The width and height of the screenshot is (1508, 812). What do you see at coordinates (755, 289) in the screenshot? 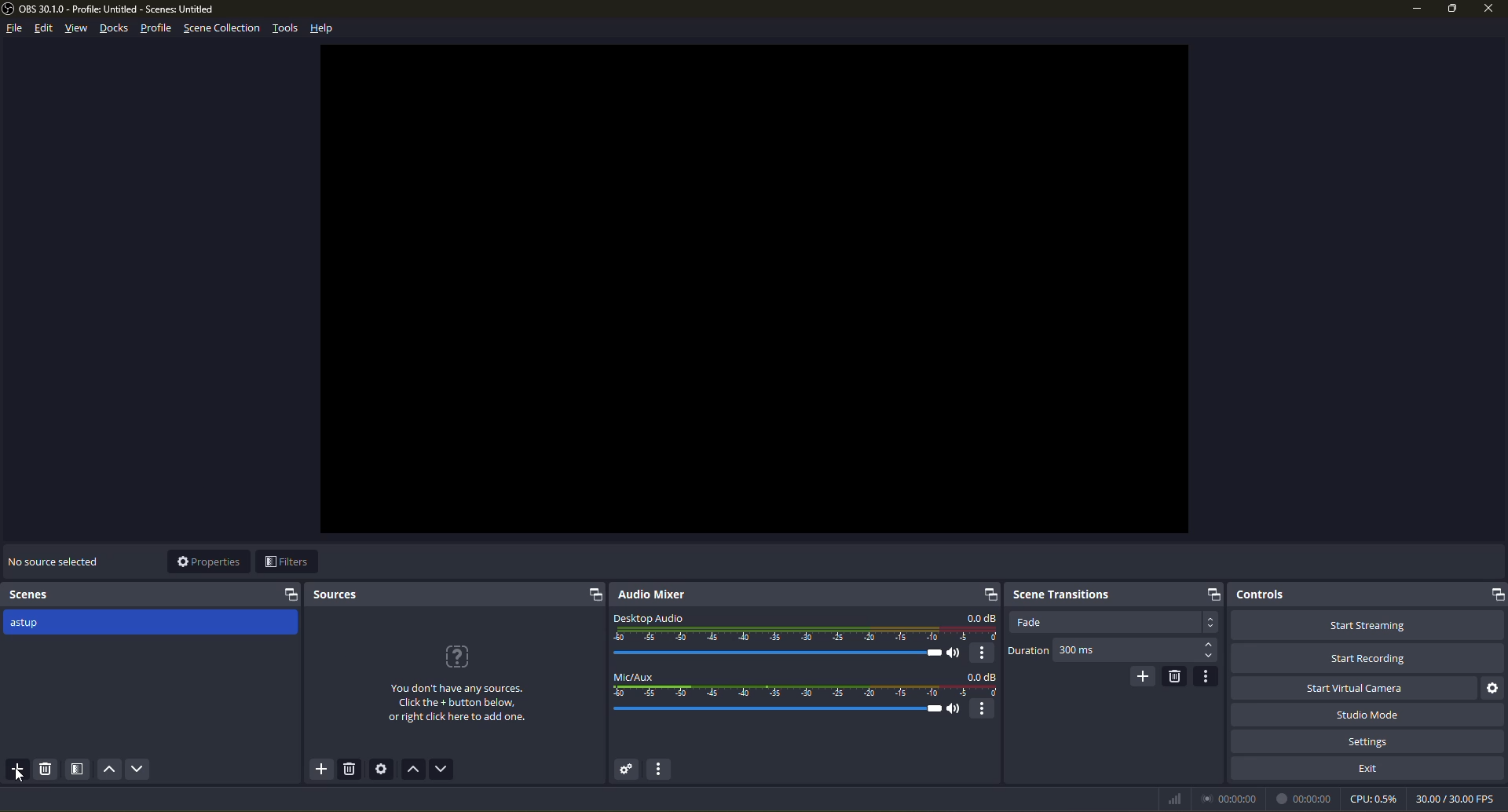
I see `workspace` at bounding box center [755, 289].